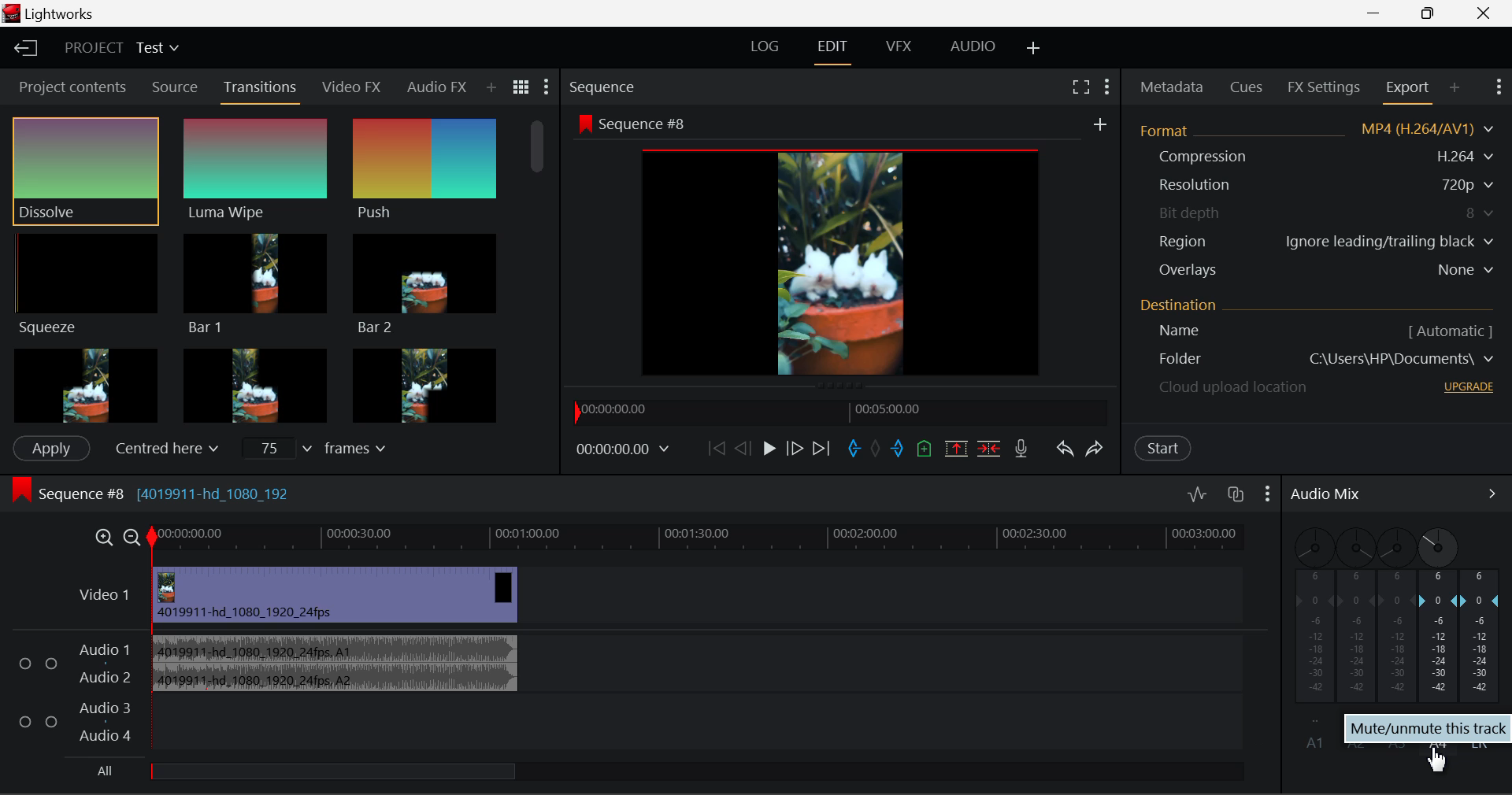  What do you see at coordinates (1080, 87) in the screenshot?
I see `Full Screen` at bounding box center [1080, 87].